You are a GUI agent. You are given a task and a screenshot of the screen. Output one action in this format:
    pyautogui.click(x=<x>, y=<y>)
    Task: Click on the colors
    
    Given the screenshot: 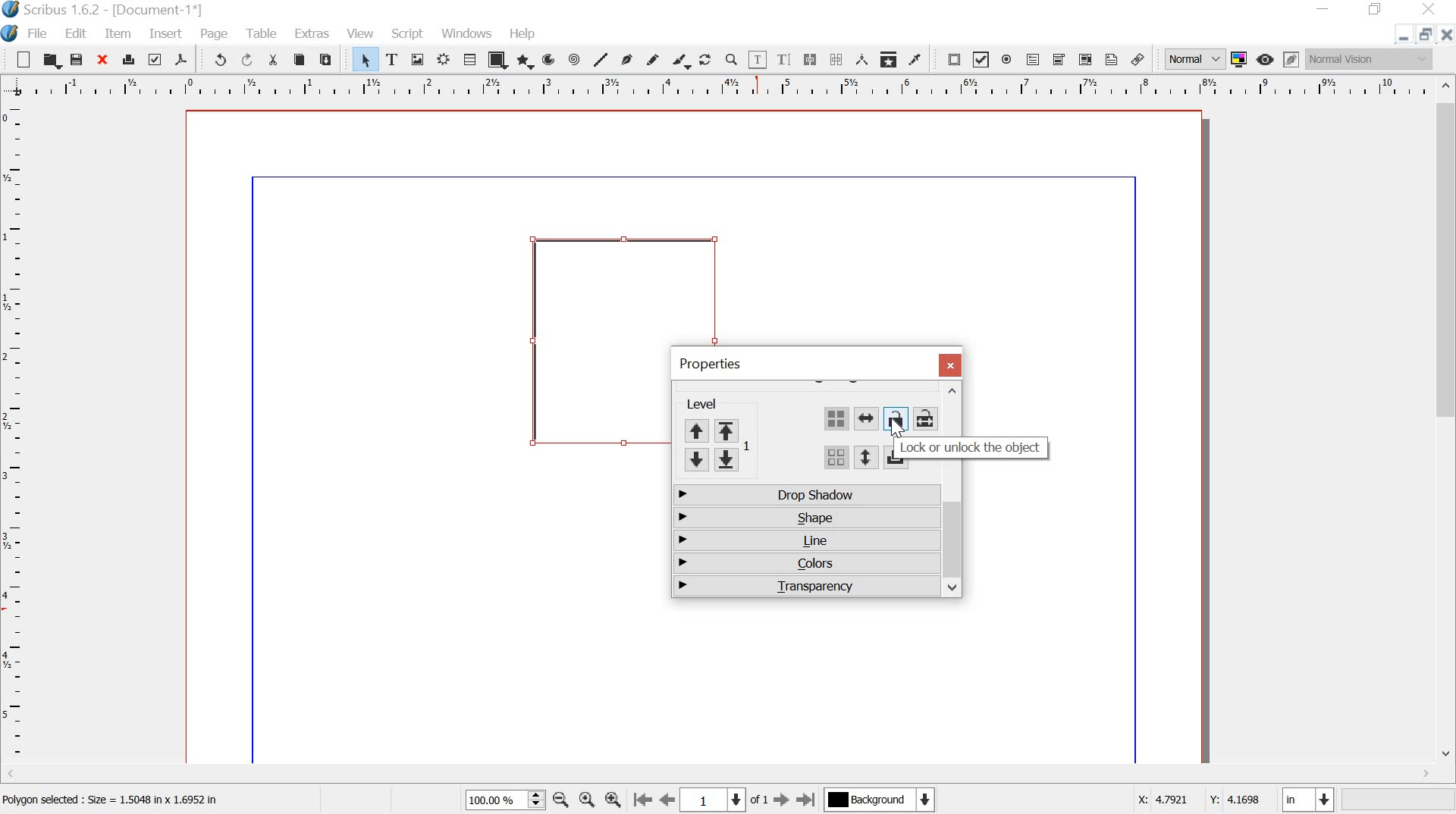 What is the action you would take?
    pyautogui.click(x=803, y=565)
    